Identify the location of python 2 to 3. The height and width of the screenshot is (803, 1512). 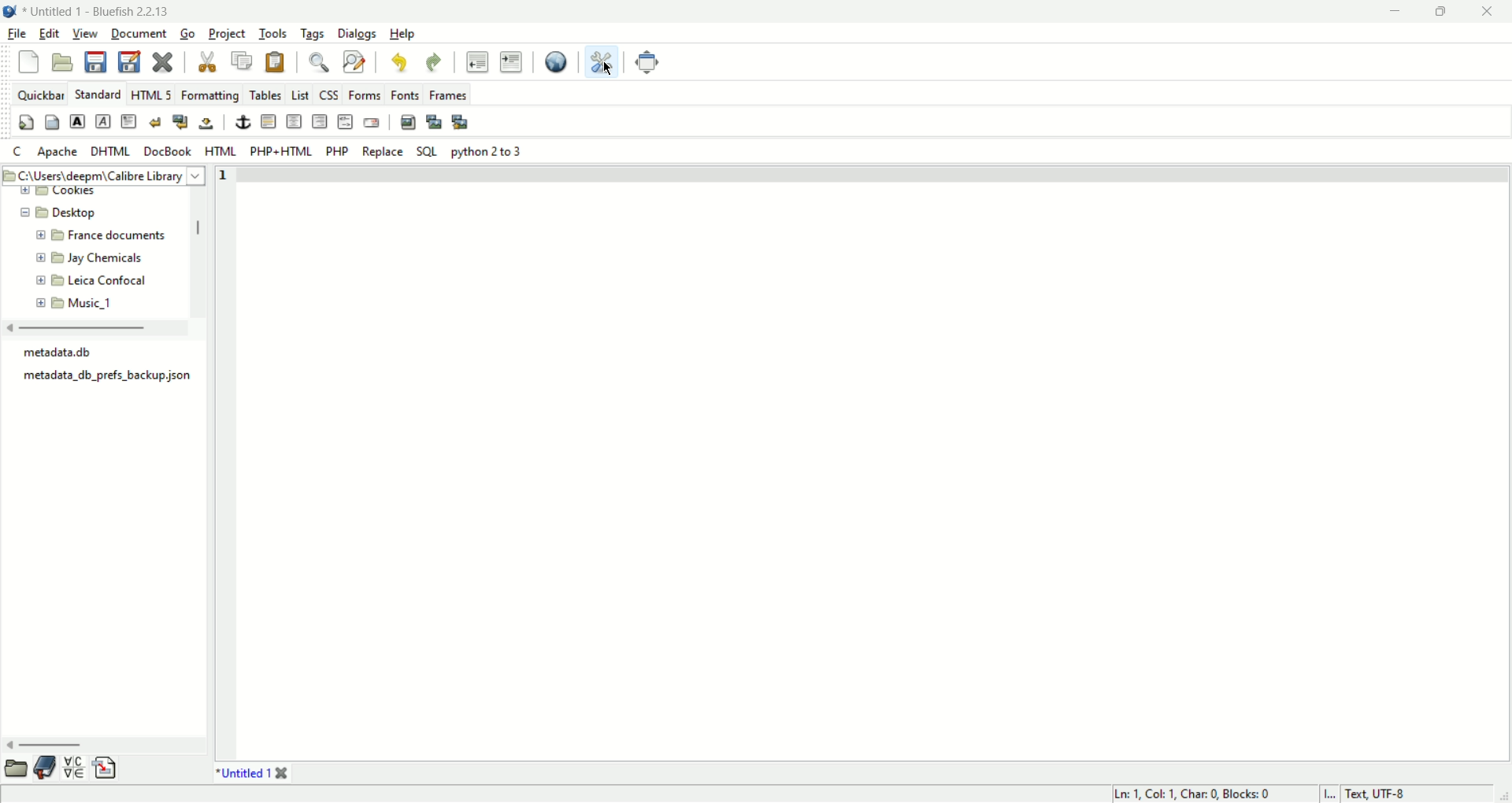
(487, 153).